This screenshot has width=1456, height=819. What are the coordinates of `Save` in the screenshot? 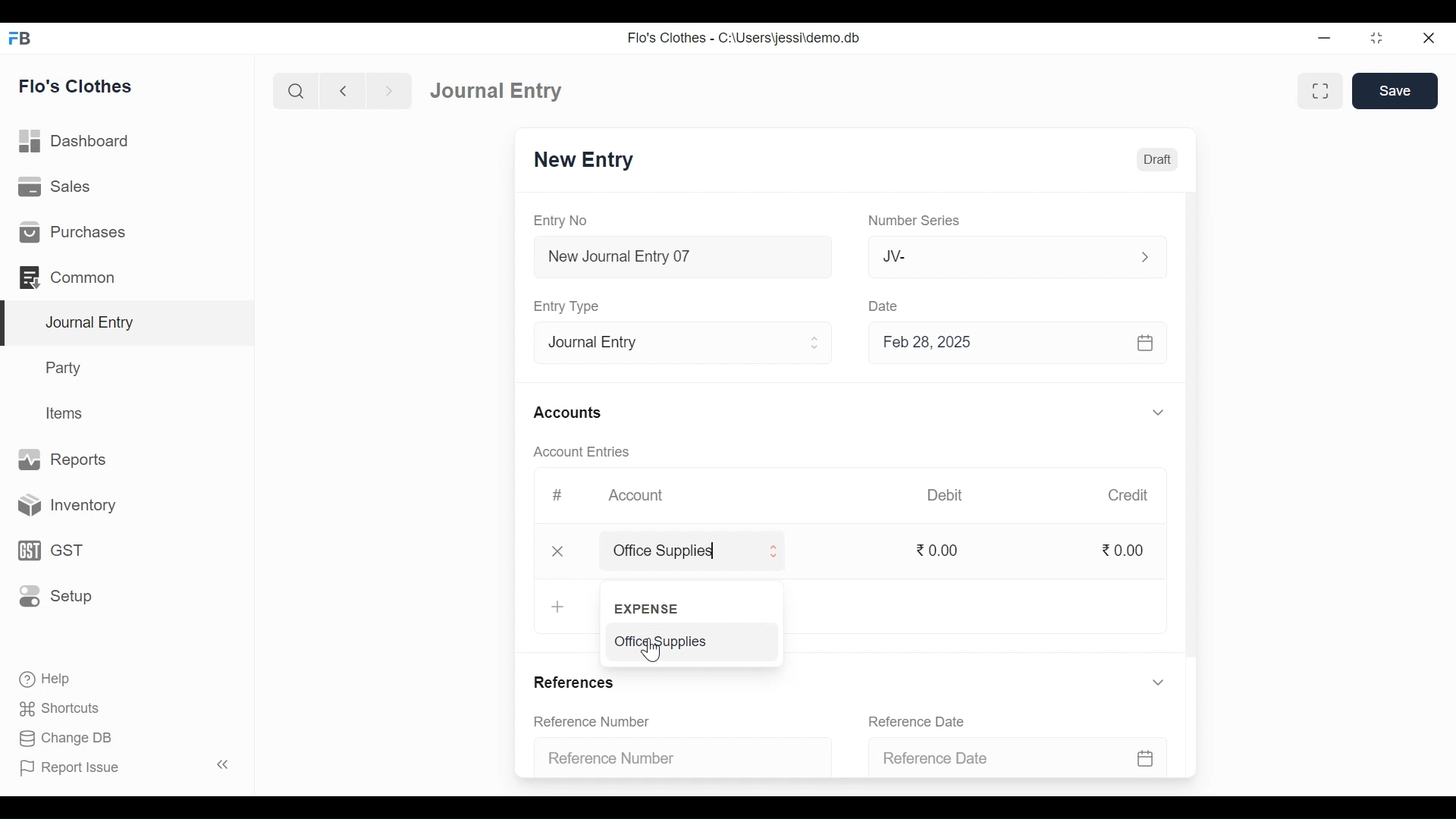 It's located at (1395, 90).